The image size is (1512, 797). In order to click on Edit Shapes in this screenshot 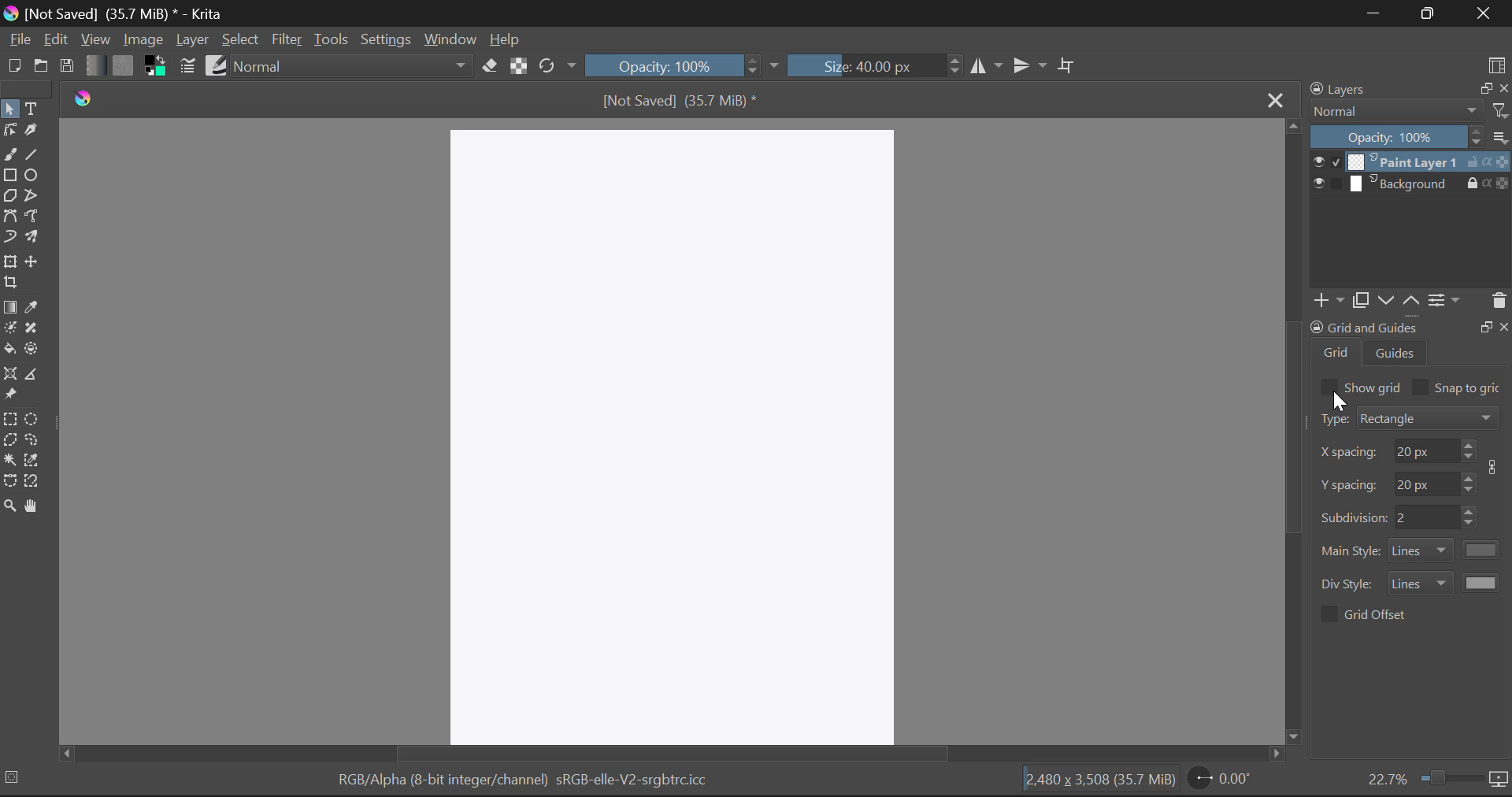, I will do `click(9, 132)`.